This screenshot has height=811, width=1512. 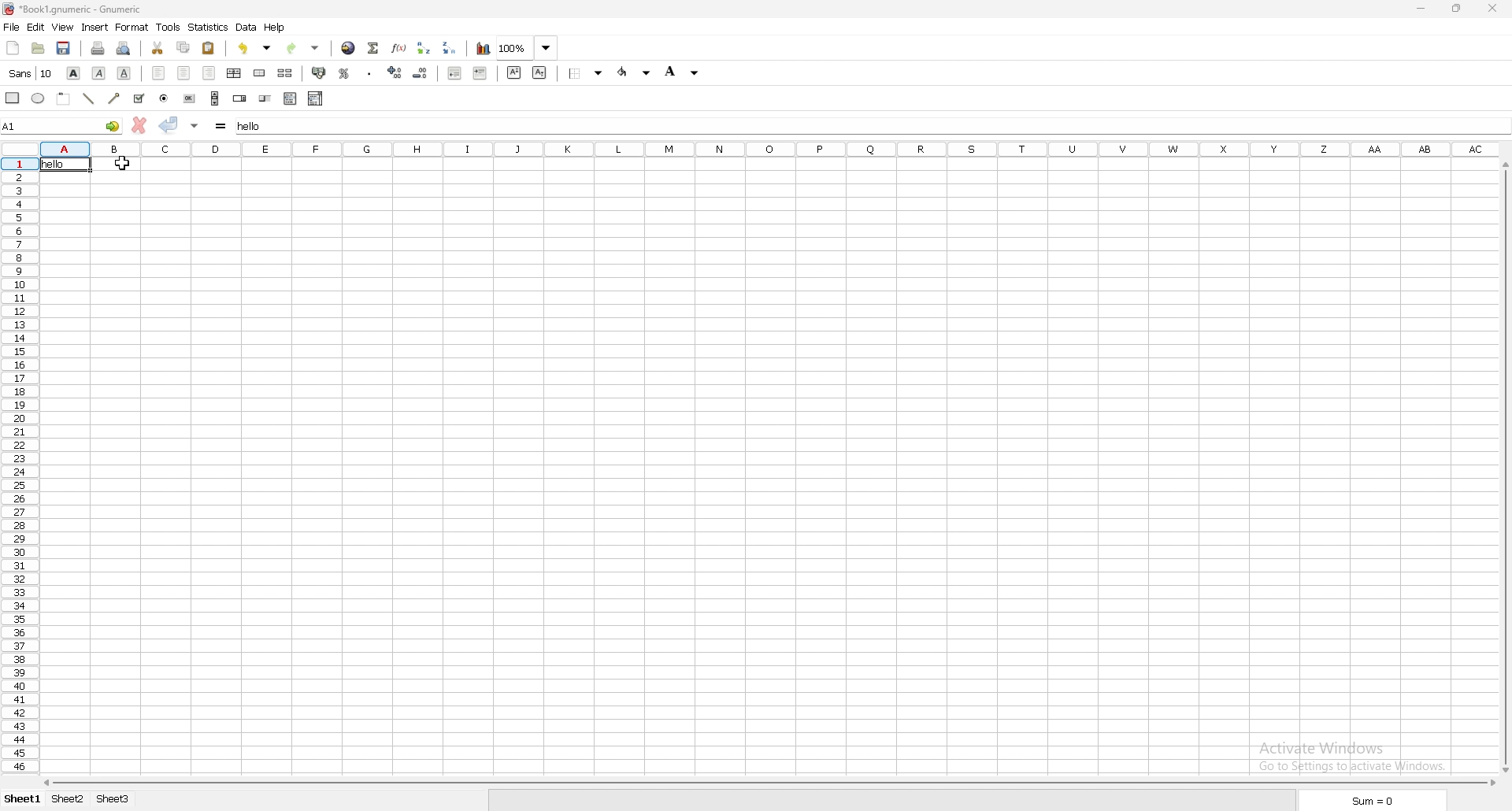 What do you see at coordinates (267, 98) in the screenshot?
I see `create slider` at bounding box center [267, 98].